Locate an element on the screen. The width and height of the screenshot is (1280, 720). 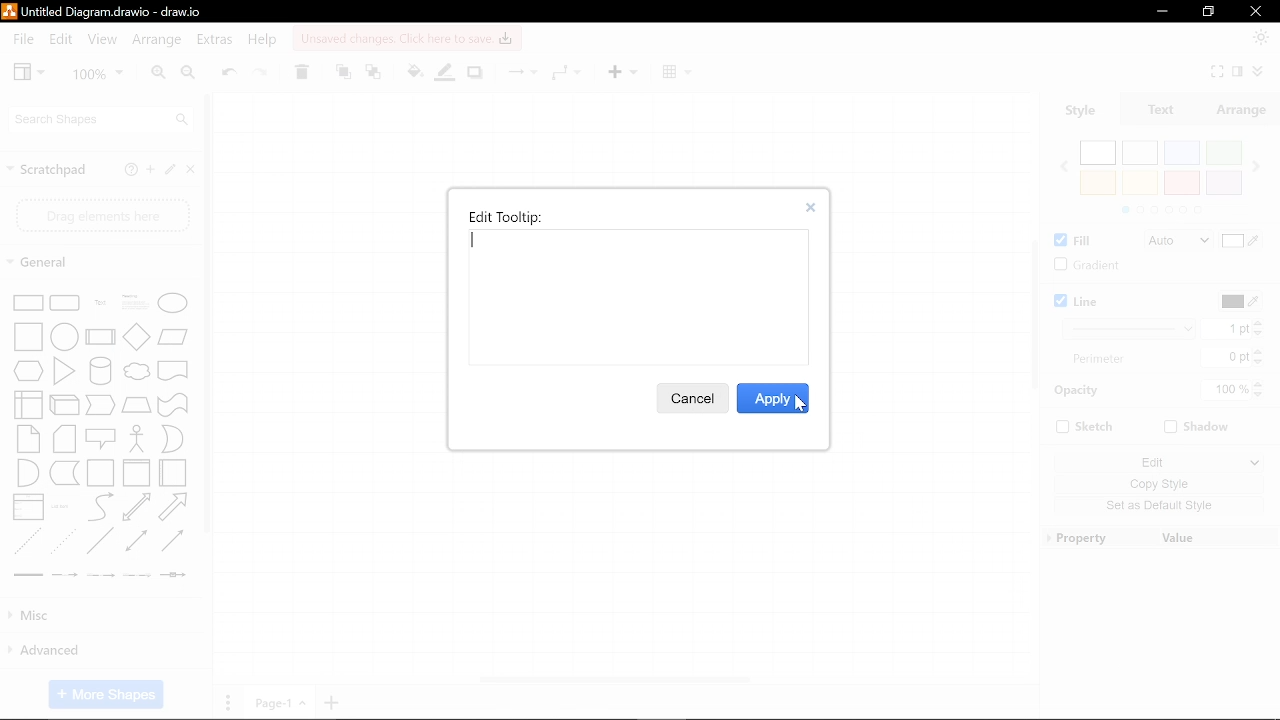
close is located at coordinates (807, 208).